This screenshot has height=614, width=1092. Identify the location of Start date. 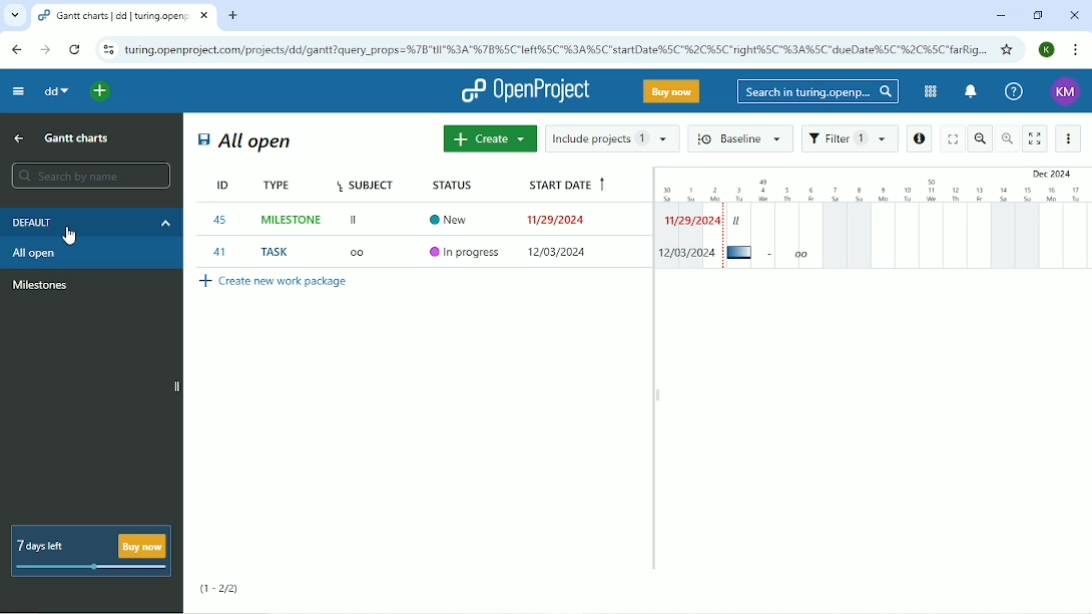
(567, 219).